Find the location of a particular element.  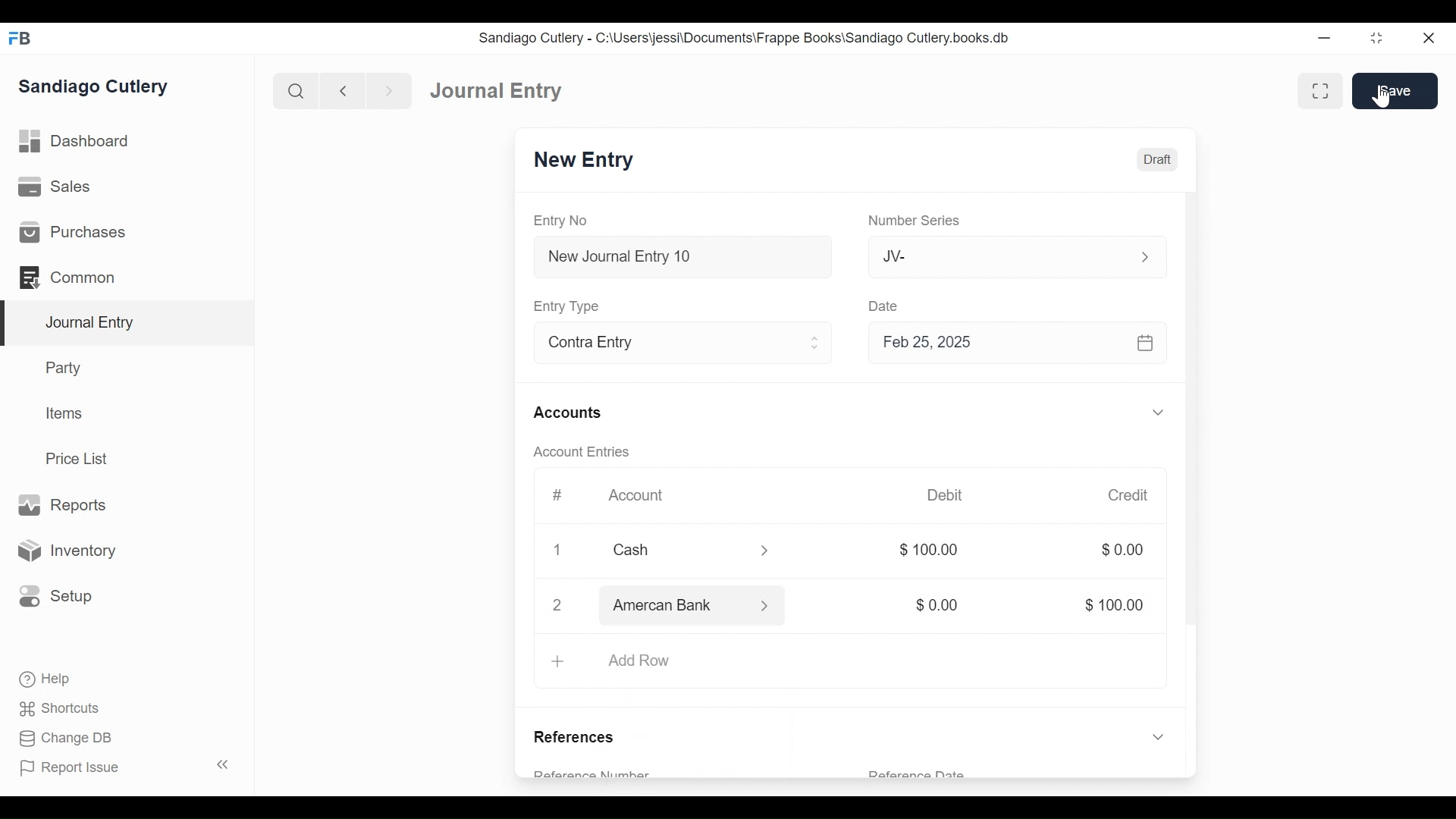

Sandiago Cutlery - C:\Users\jessi\Documents\Frappe Books\Sandiago Cutlery.books.db is located at coordinates (747, 39).